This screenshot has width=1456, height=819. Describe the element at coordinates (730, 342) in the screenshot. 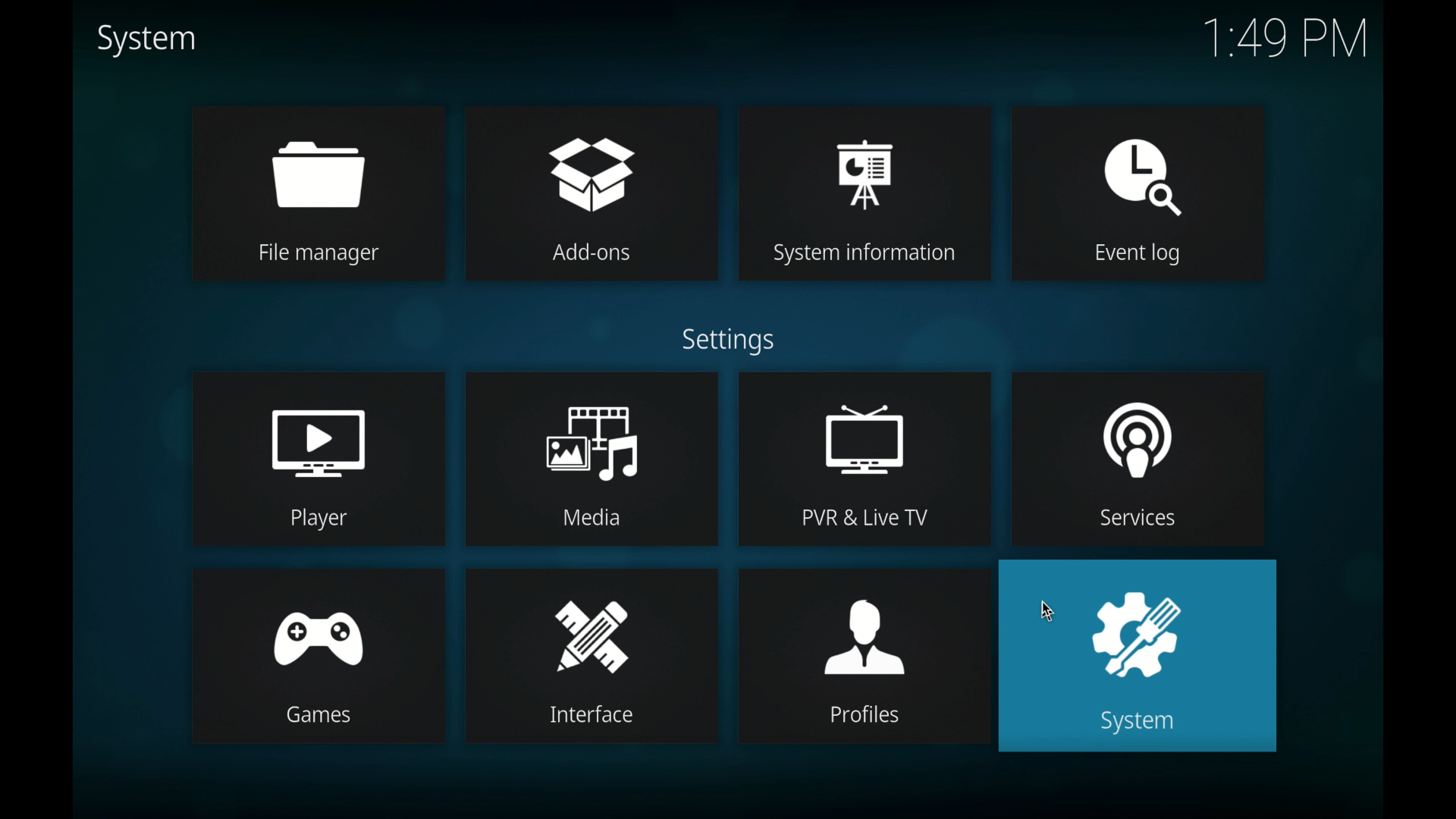

I see `settings` at that location.